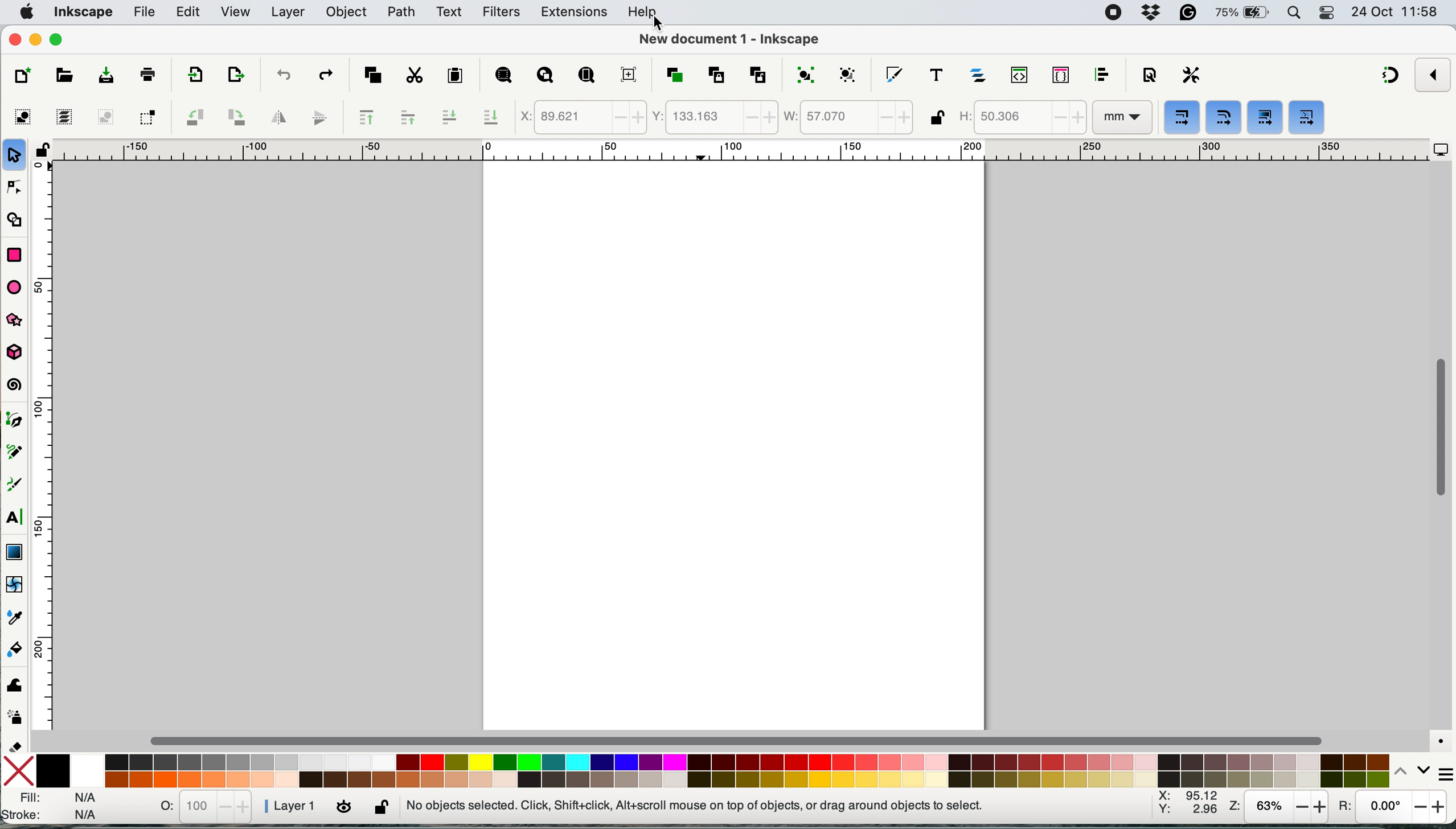  I want to click on cursor, so click(660, 24).